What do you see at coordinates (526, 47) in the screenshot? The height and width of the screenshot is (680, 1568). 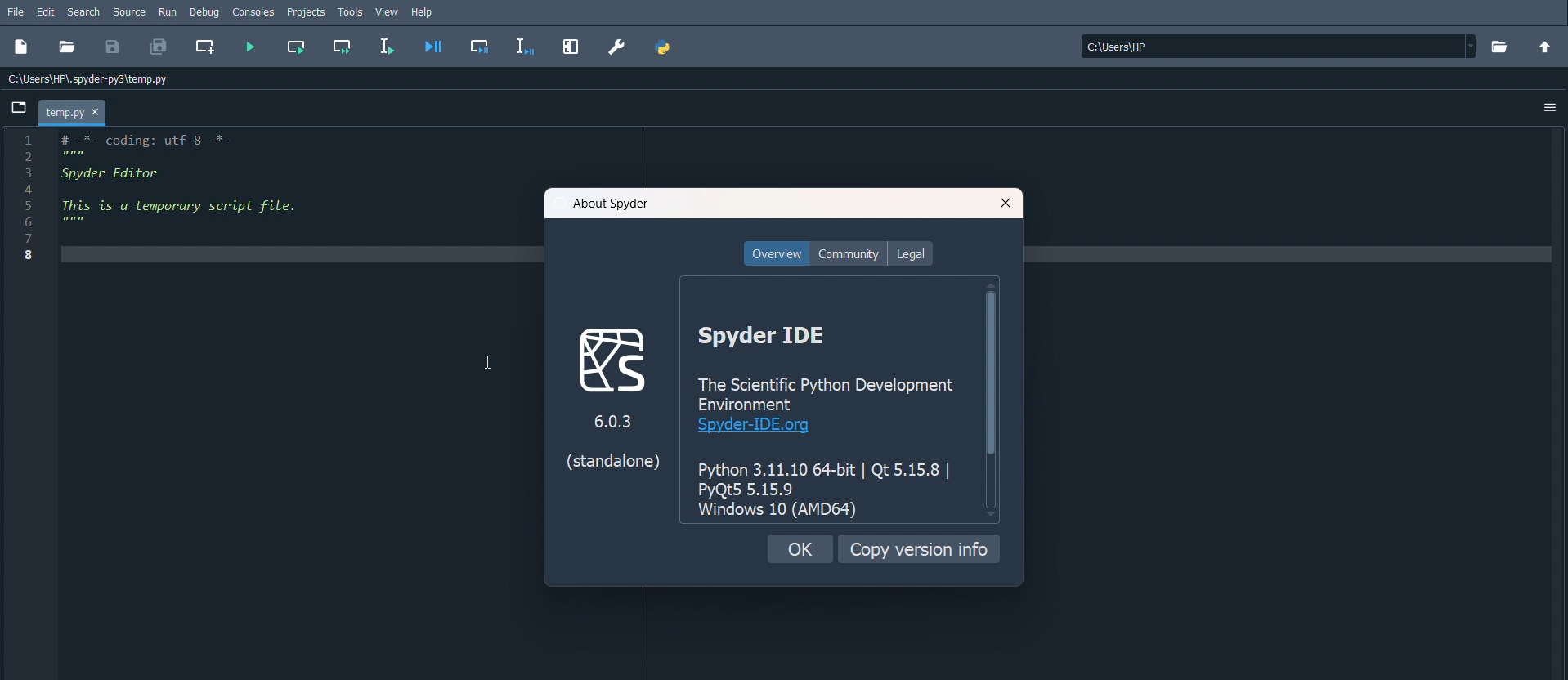 I see `Debug selection or current line` at bounding box center [526, 47].